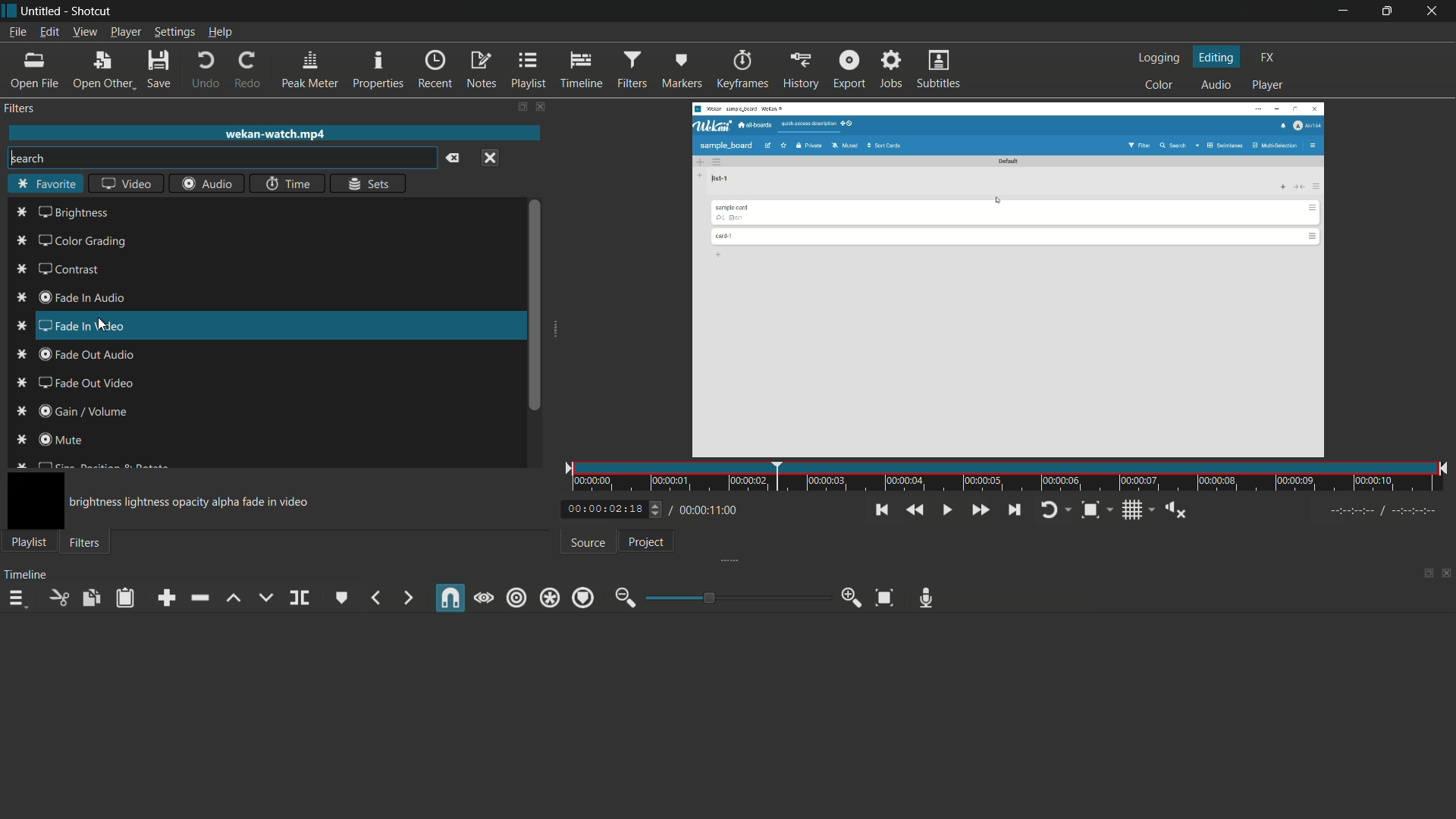 The height and width of the screenshot is (819, 1456). What do you see at coordinates (1219, 58) in the screenshot?
I see `editing` at bounding box center [1219, 58].